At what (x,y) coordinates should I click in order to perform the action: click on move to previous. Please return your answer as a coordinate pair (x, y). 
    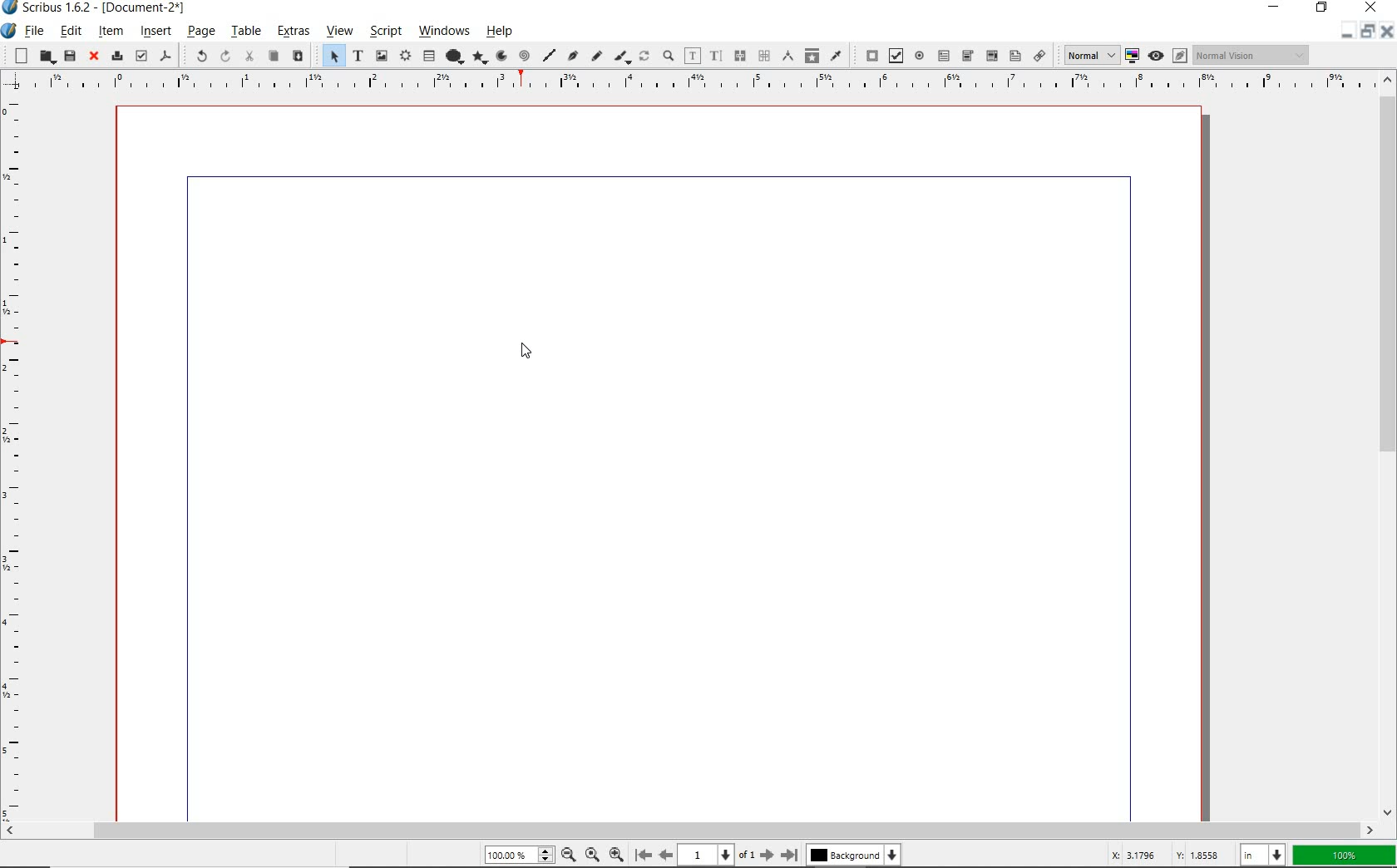
    Looking at the image, I should click on (672, 854).